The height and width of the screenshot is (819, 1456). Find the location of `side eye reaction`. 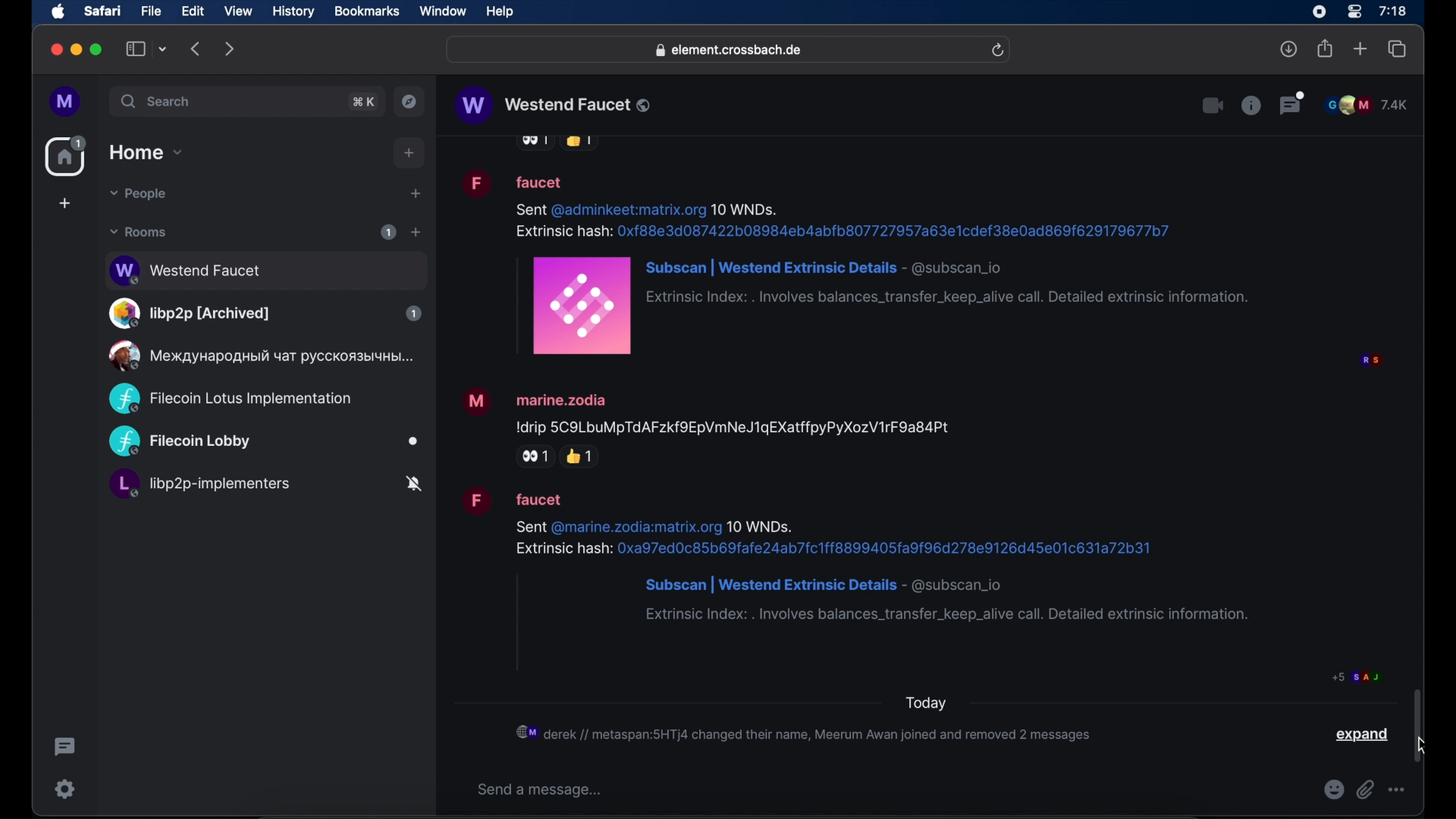

side eye reaction is located at coordinates (532, 457).